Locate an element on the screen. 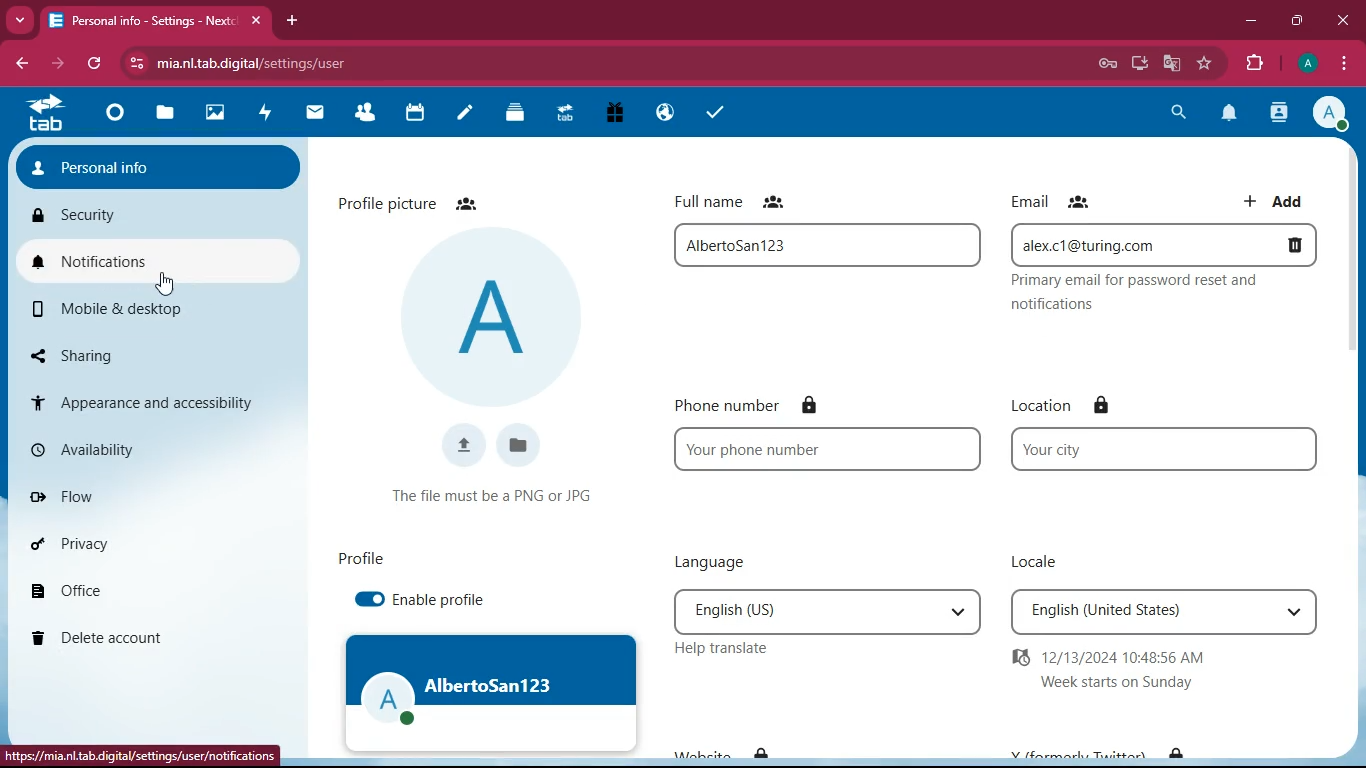  lock is located at coordinates (1115, 405).